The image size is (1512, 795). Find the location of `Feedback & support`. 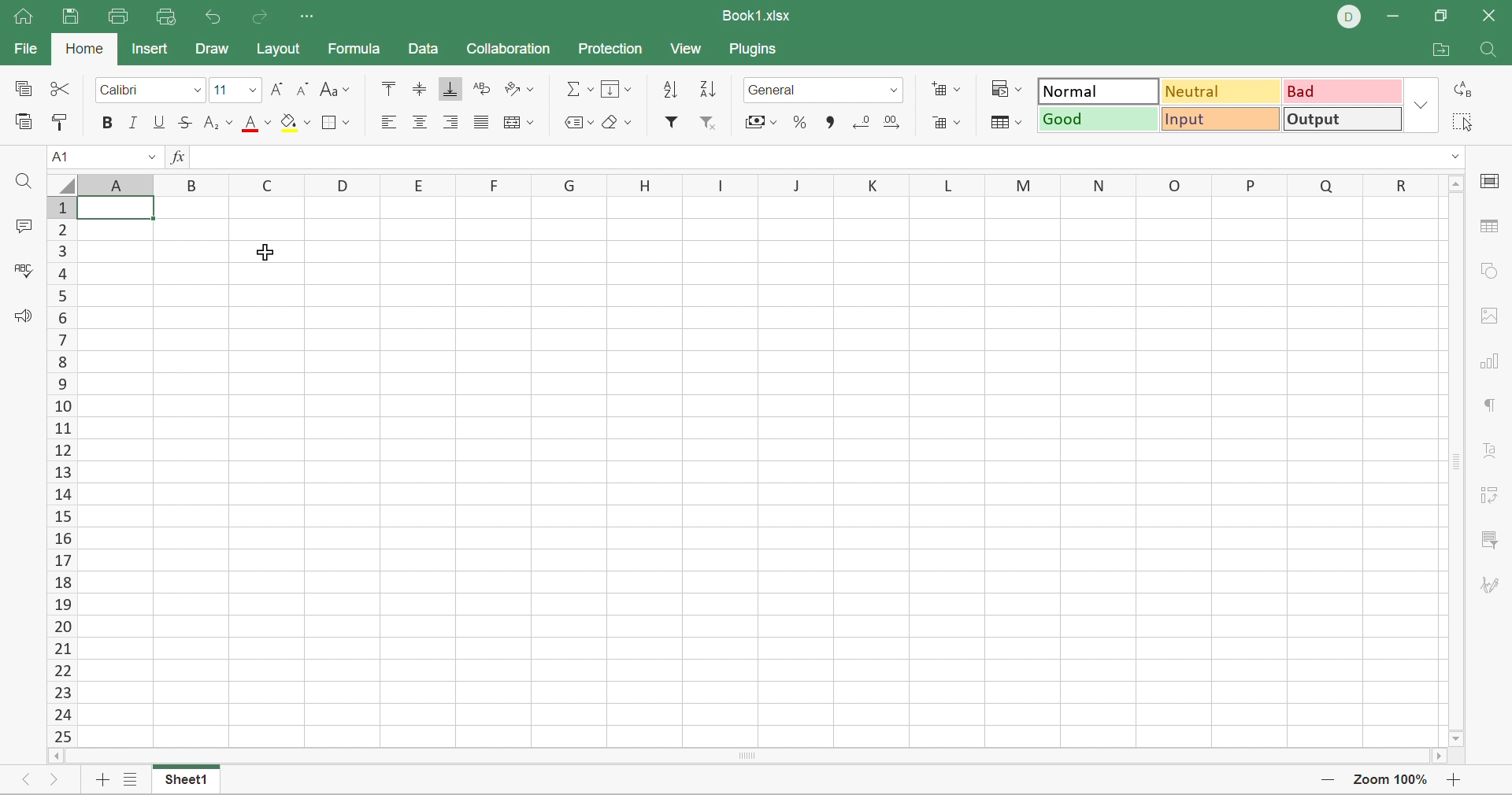

Feedback & support is located at coordinates (27, 317).